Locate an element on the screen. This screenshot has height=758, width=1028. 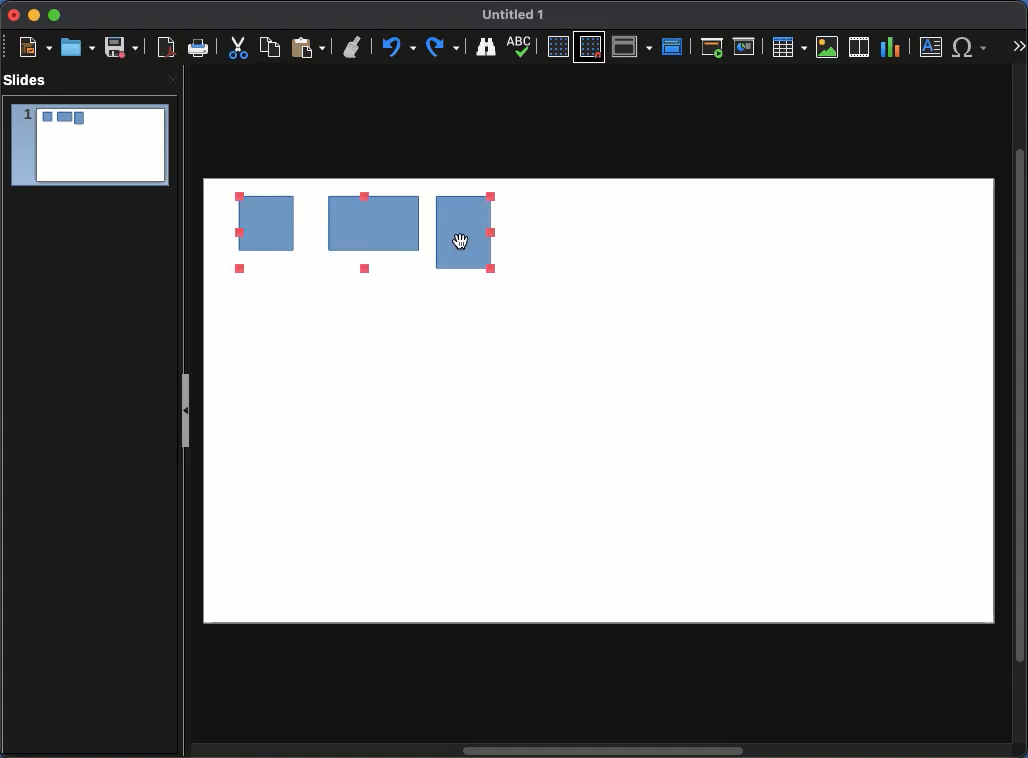
Slide is located at coordinates (89, 146).